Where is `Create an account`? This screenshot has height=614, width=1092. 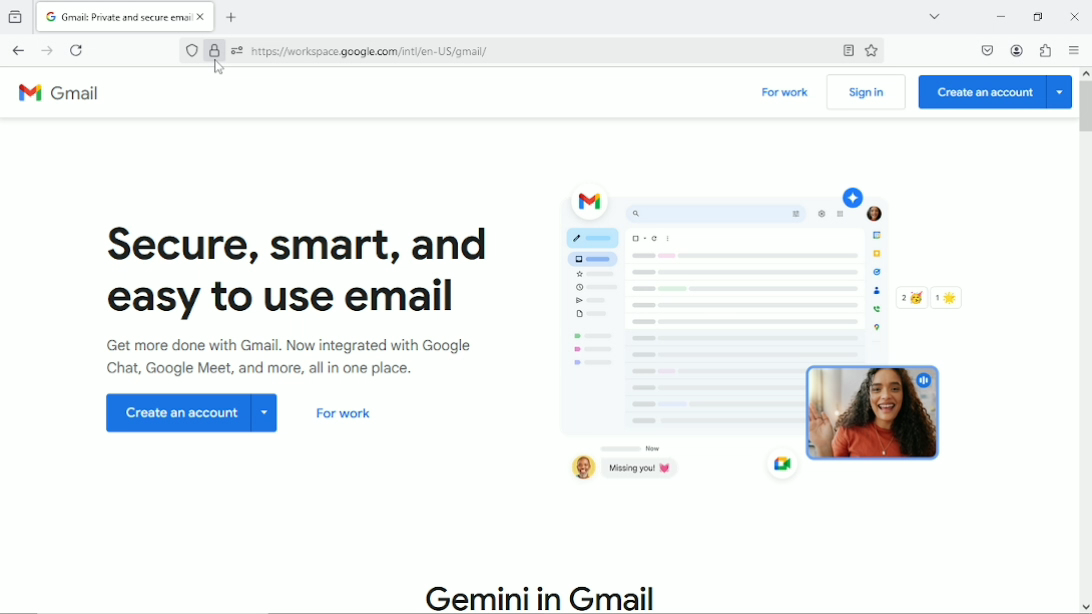
Create an account is located at coordinates (995, 93).